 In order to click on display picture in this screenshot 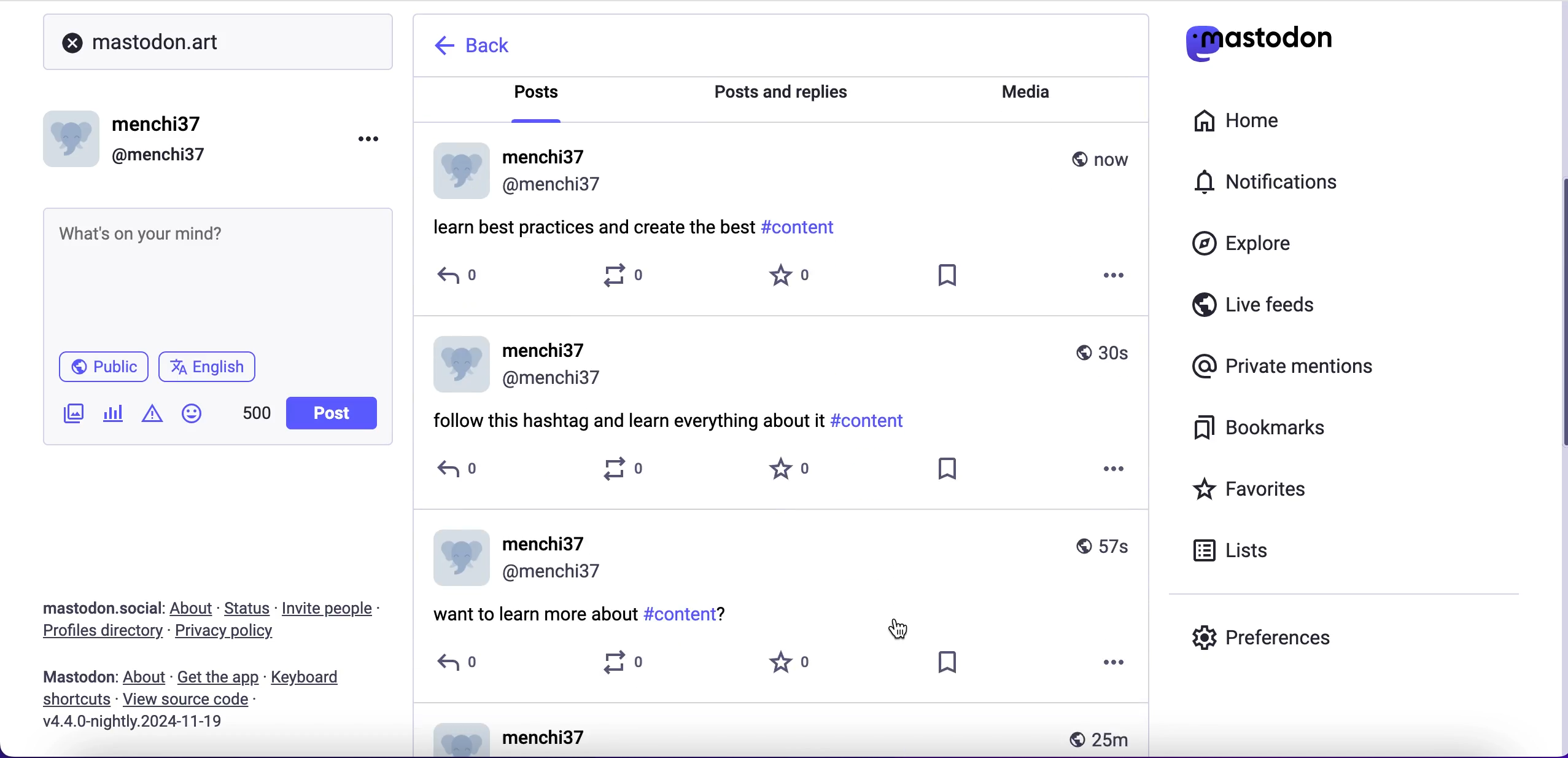, I will do `click(74, 135)`.